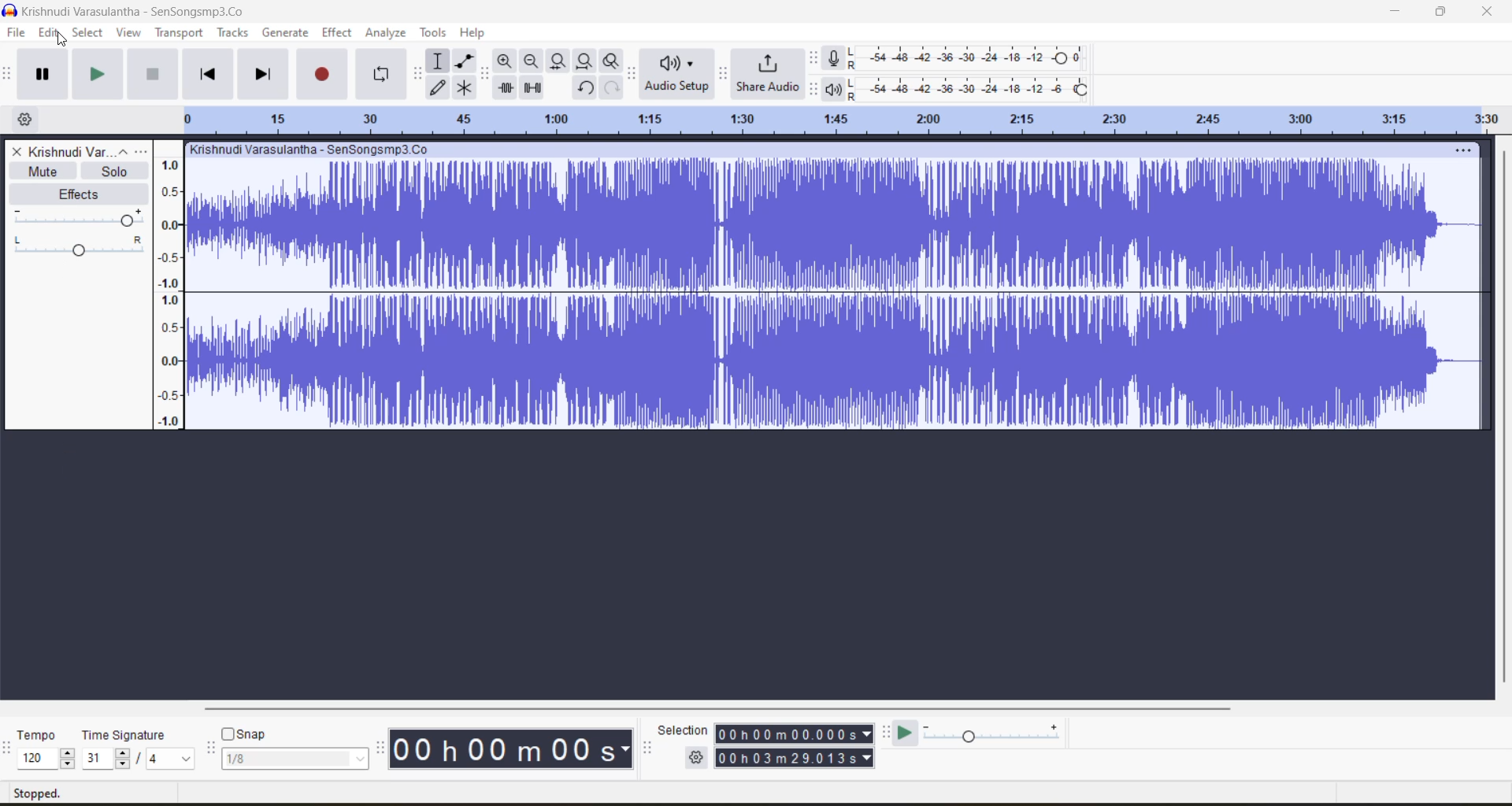 The width and height of the screenshot is (1512, 806). Describe the element at coordinates (530, 61) in the screenshot. I see `zoom out` at that location.